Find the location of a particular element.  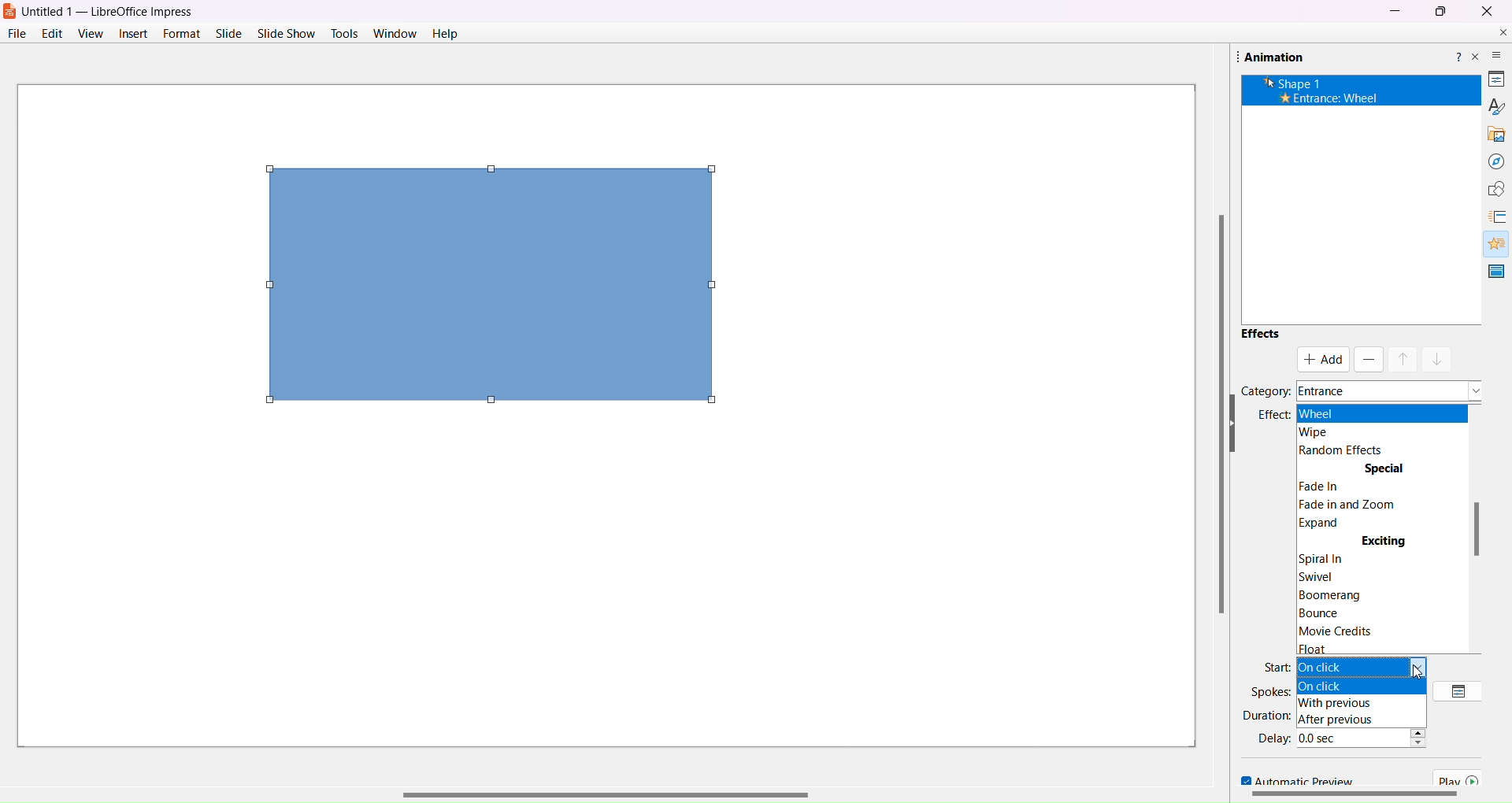

Close is located at coordinates (1486, 10).